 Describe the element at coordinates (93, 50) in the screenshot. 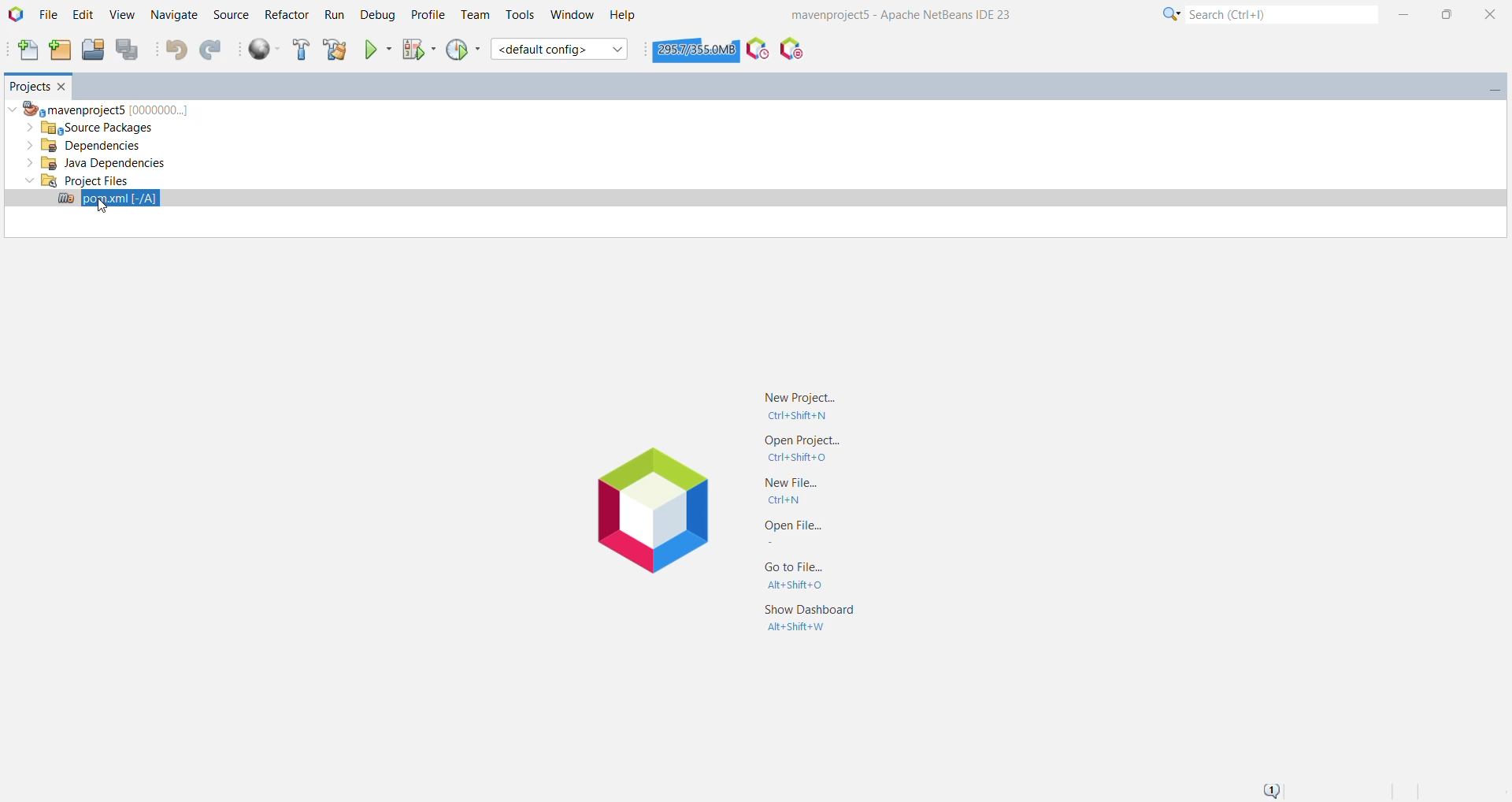

I see `Open Project` at that location.